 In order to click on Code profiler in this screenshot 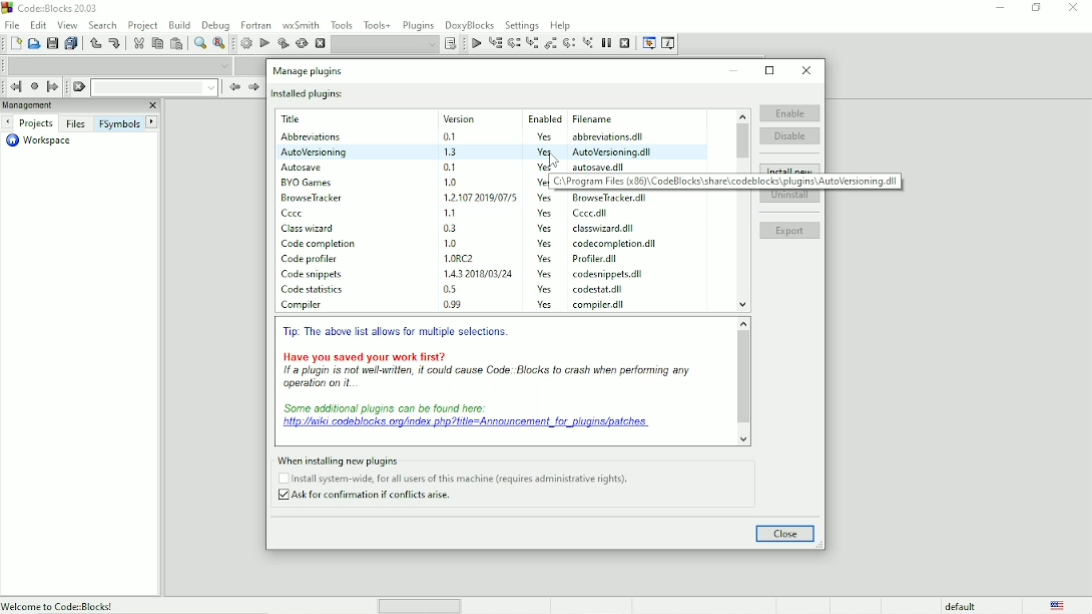, I will do `click(313, 258)`.